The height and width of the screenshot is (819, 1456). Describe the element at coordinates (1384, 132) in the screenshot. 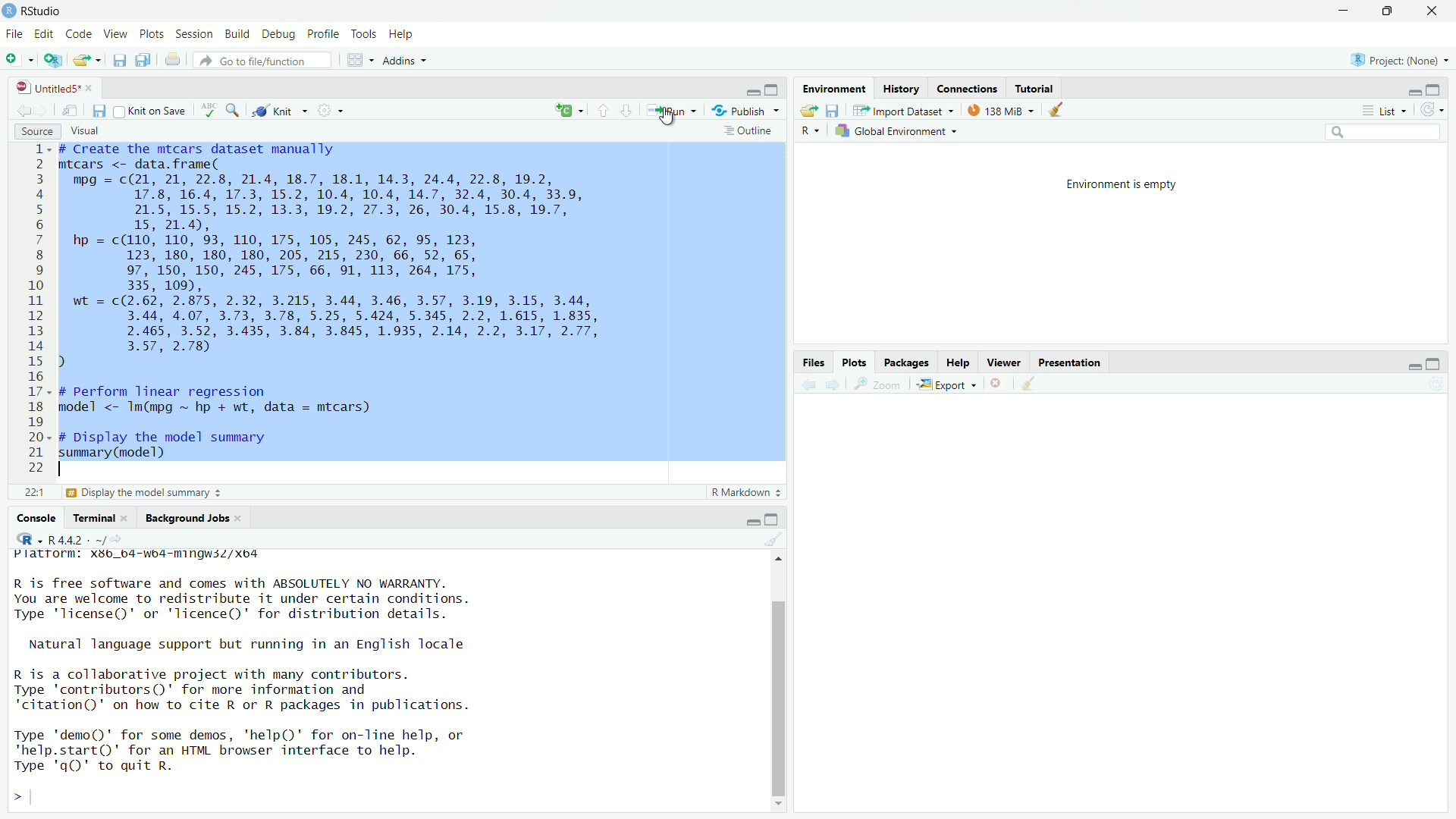

I see `search bar` at that location.